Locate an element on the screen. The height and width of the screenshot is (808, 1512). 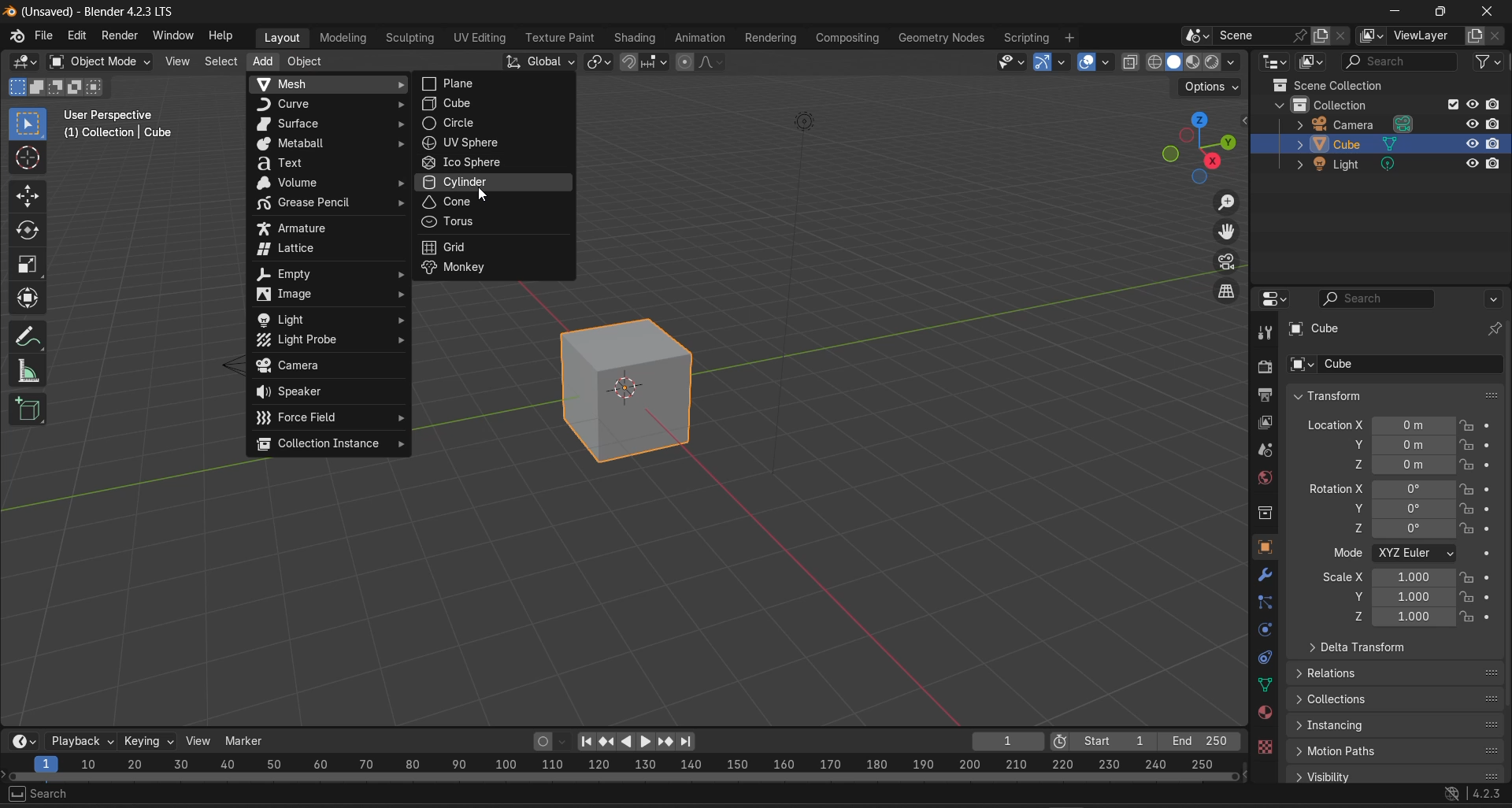
playback is located at coordinates (83, 740).